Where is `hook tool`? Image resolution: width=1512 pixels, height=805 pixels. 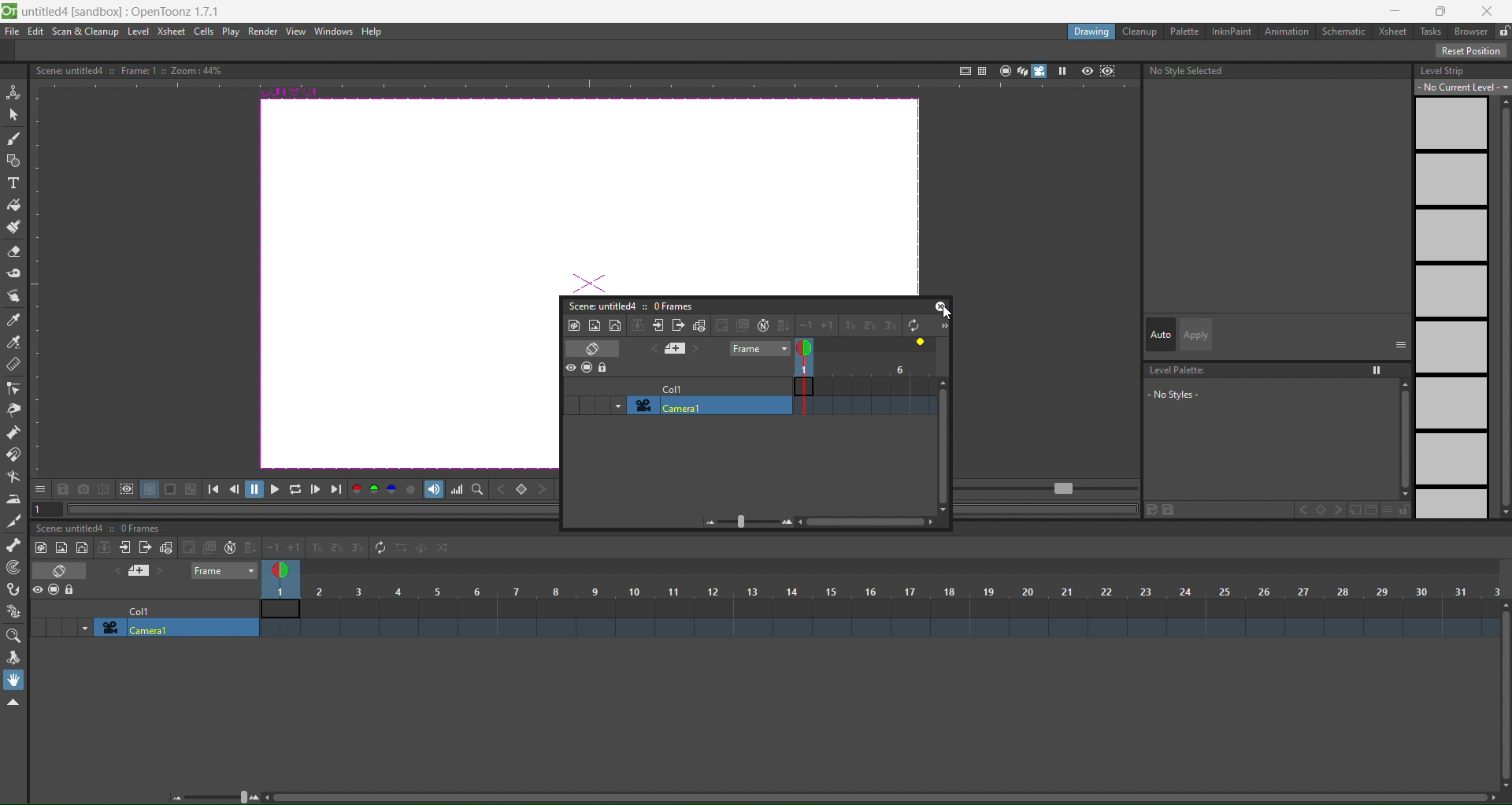
hook tool is located at coordinates (15, 590).